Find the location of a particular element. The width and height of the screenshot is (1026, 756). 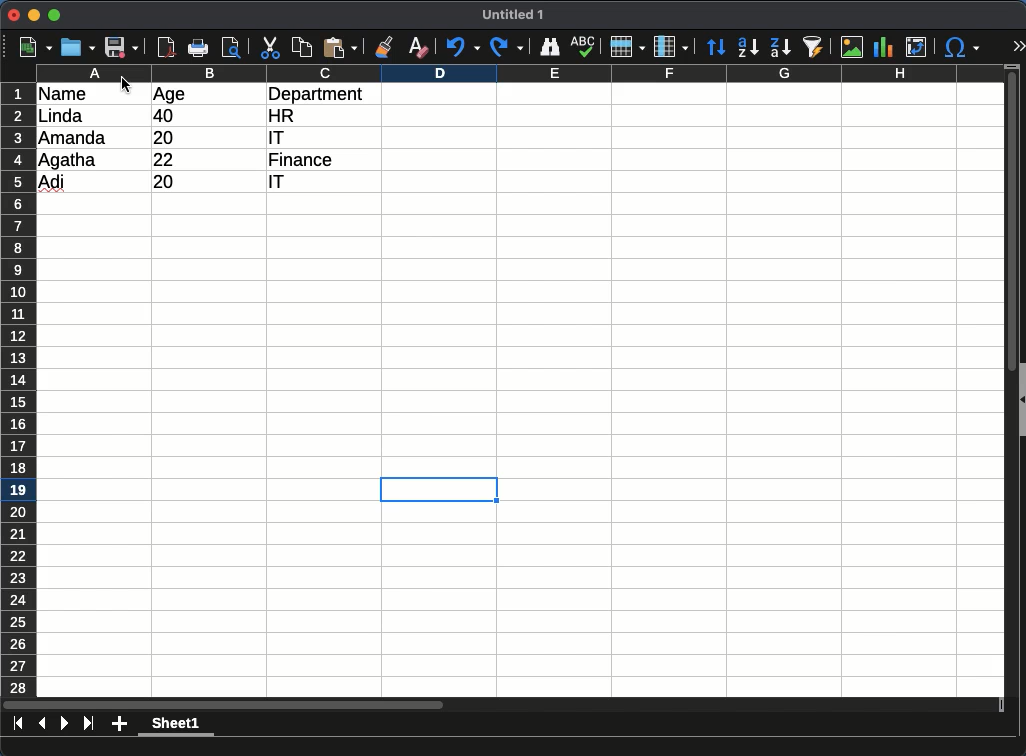

print is located at coordinates (201, 47).